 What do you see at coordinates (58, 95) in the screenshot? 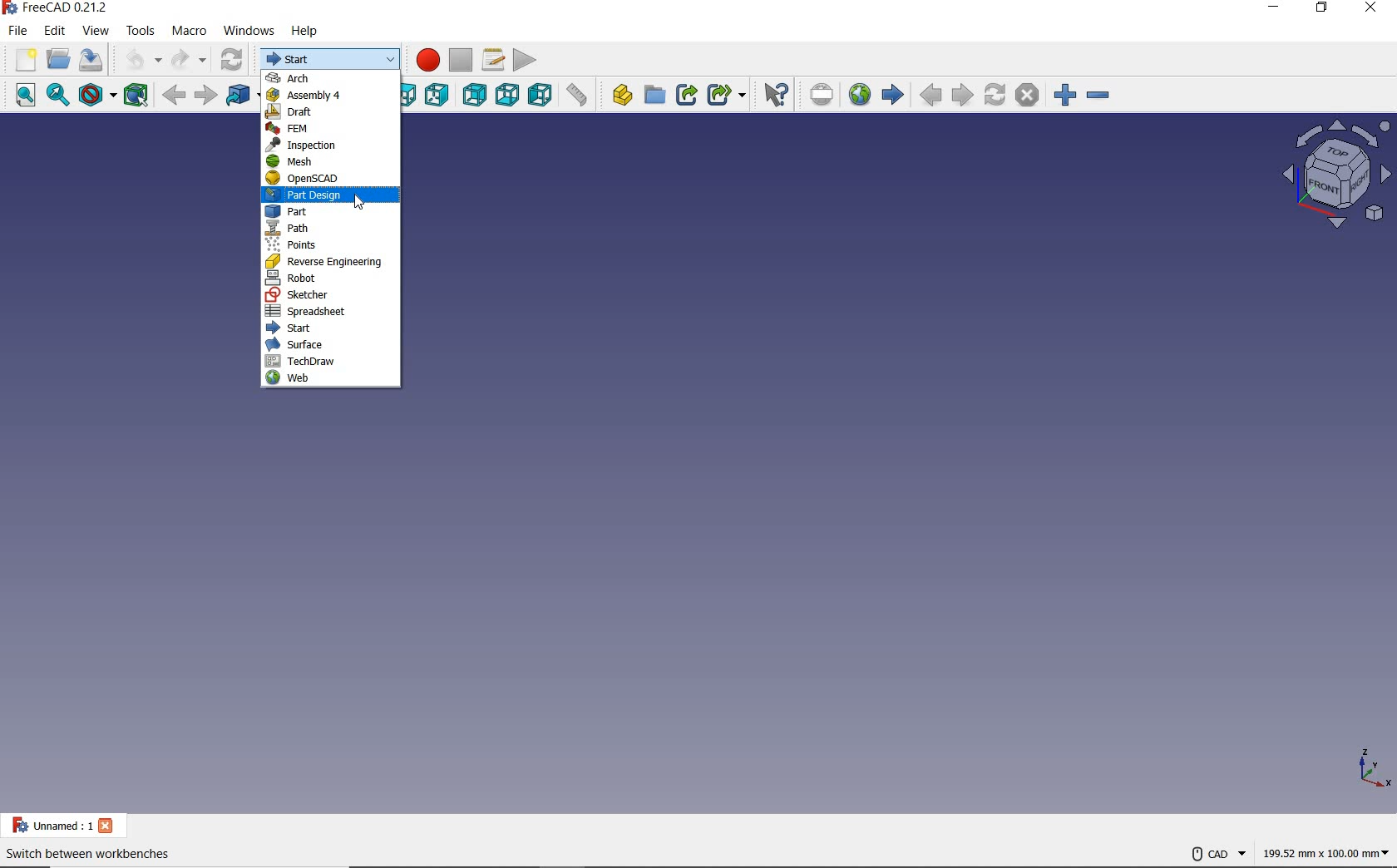
I see `FIT SELECTION` at bounding box center [58, 95].